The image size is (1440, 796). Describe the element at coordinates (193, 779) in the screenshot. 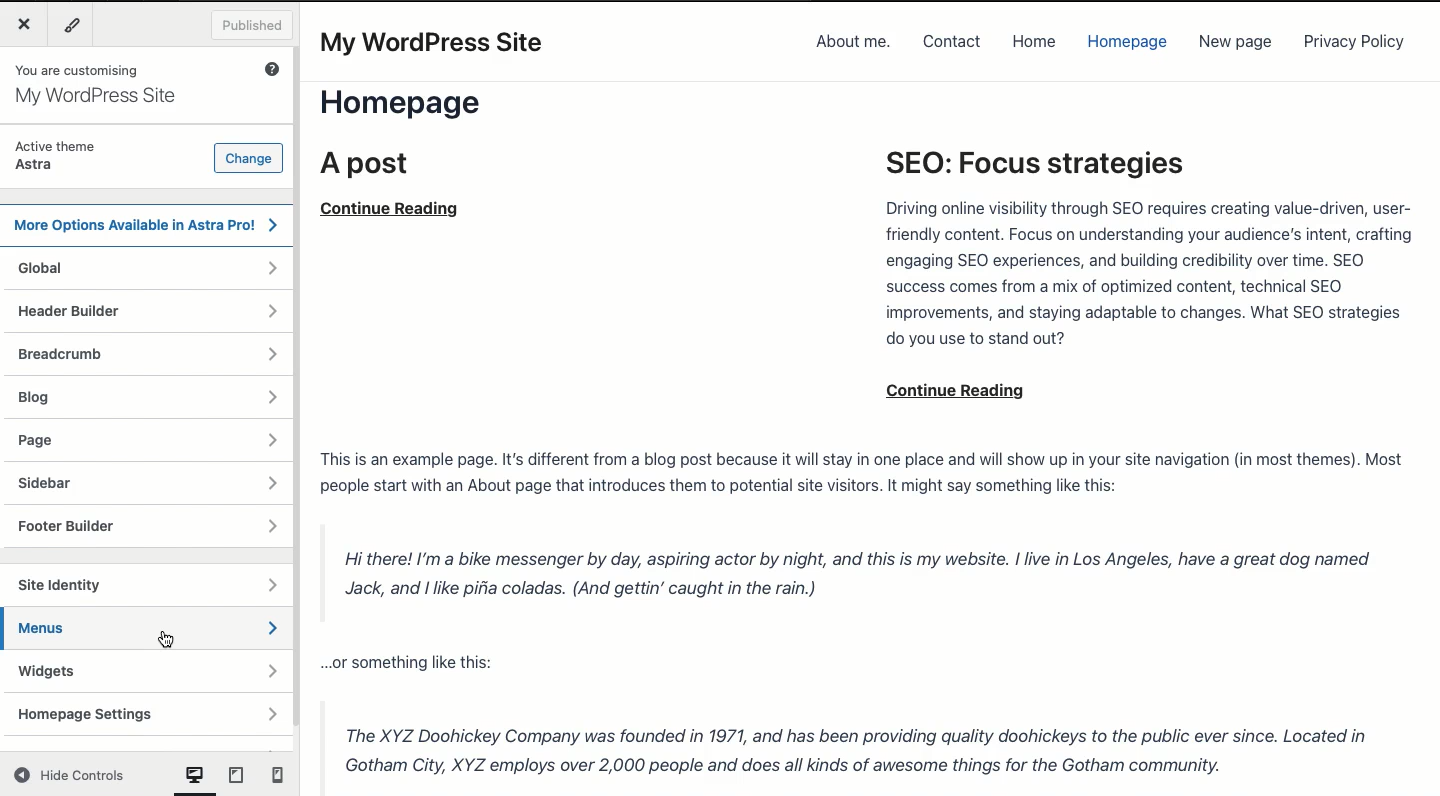

I see `computer View` at that location.